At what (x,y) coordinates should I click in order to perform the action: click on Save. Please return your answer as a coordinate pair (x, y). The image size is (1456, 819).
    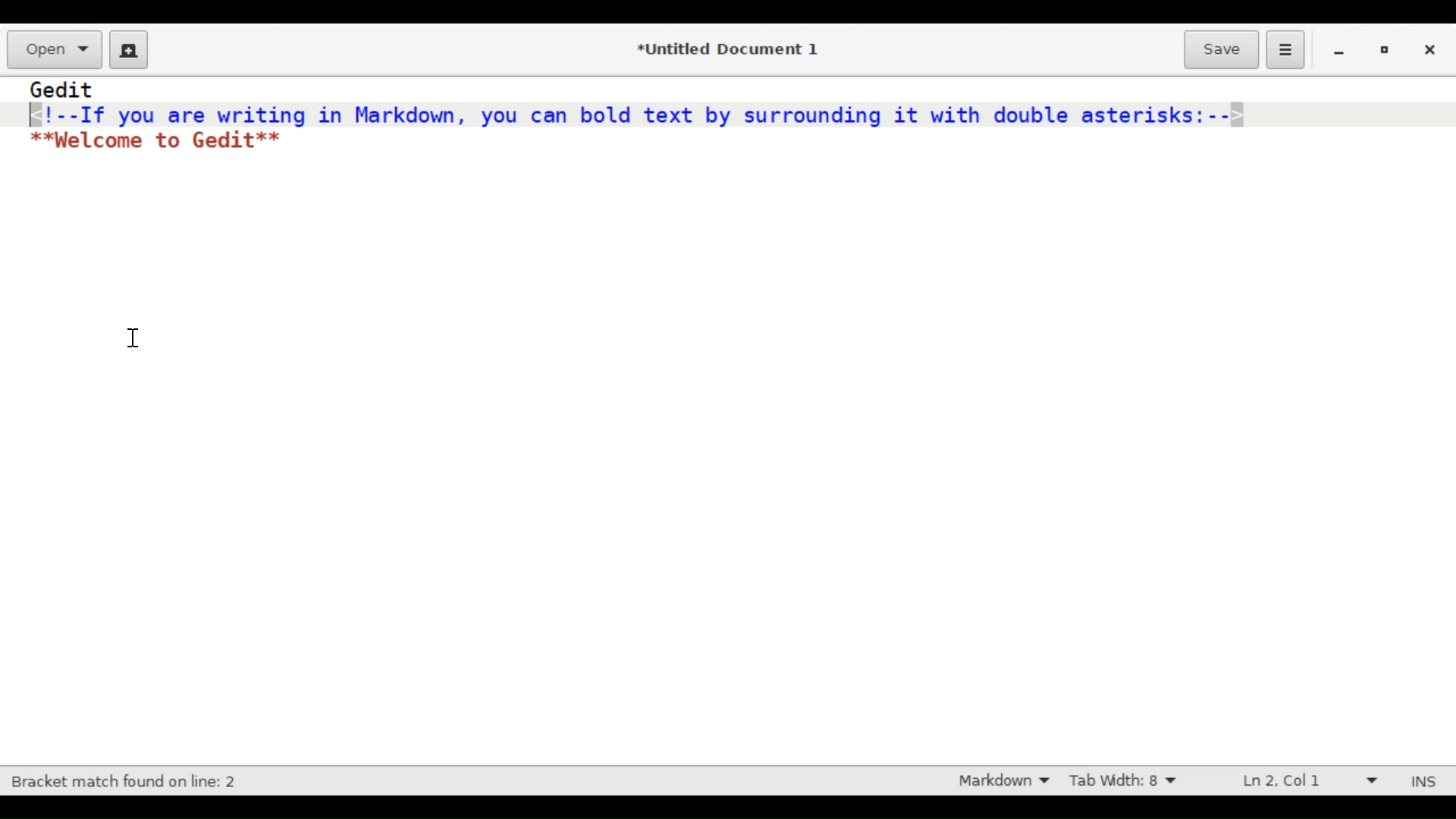
    Looking at the image, I should click on (1221, 48).